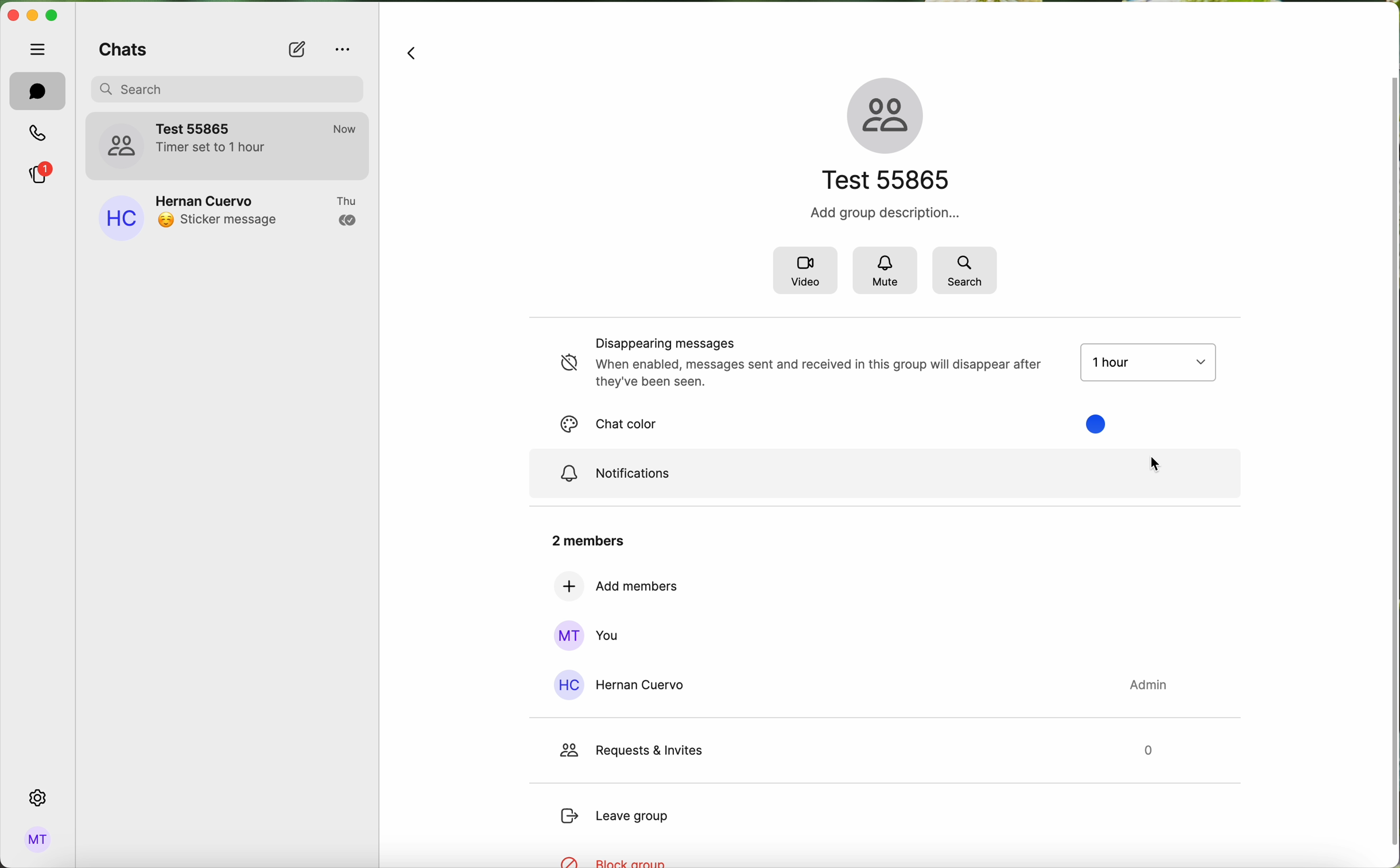 The width and height of the screenshot is (1400, 868). I want to click on Hernan Cuervo contact, so click(858, 687).